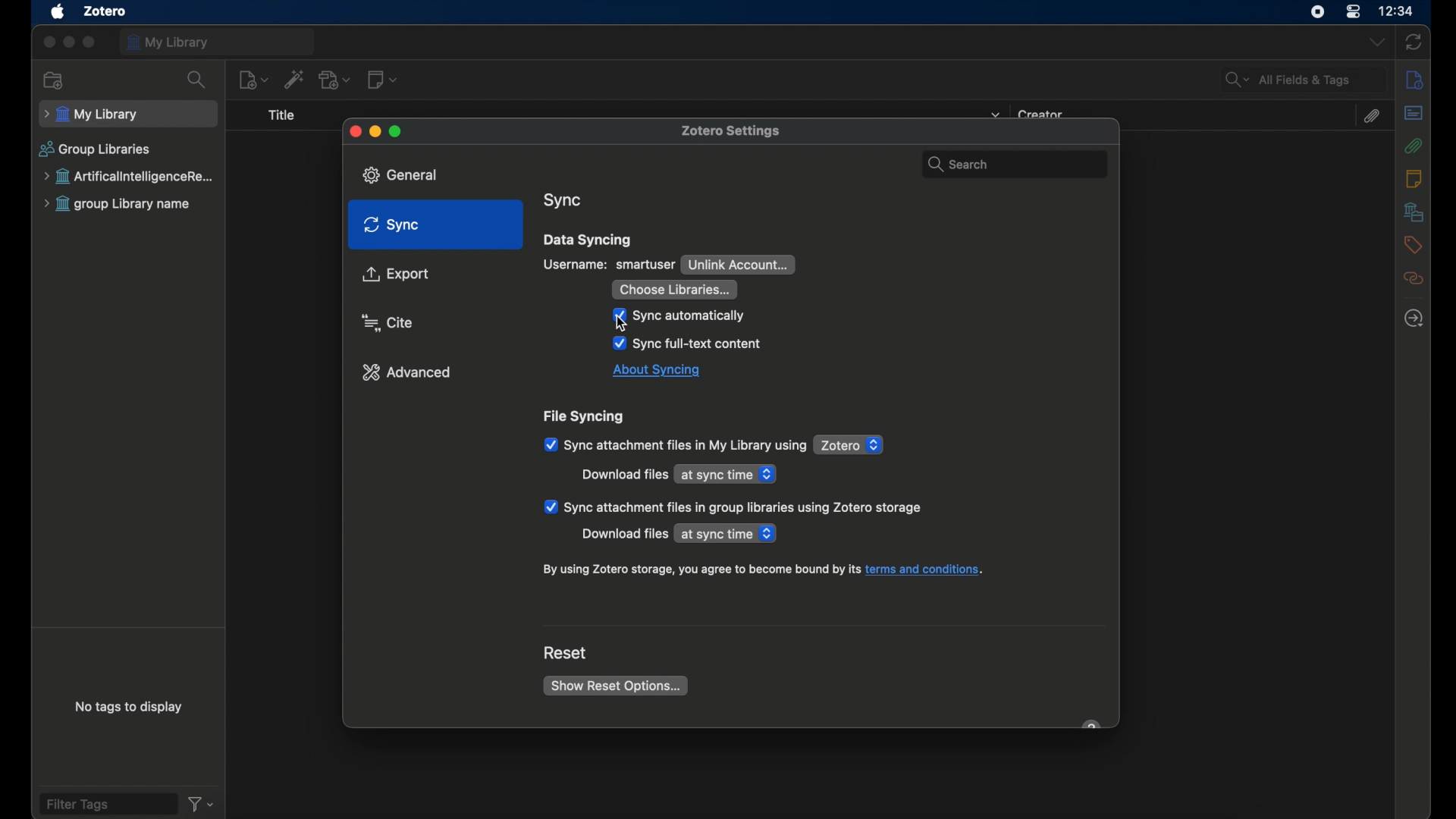 This screenshot has width=1456, height=819. What do you see at coordinates (197, 80) in the screenshot?
I see `search` at bounding box center [197, 80].